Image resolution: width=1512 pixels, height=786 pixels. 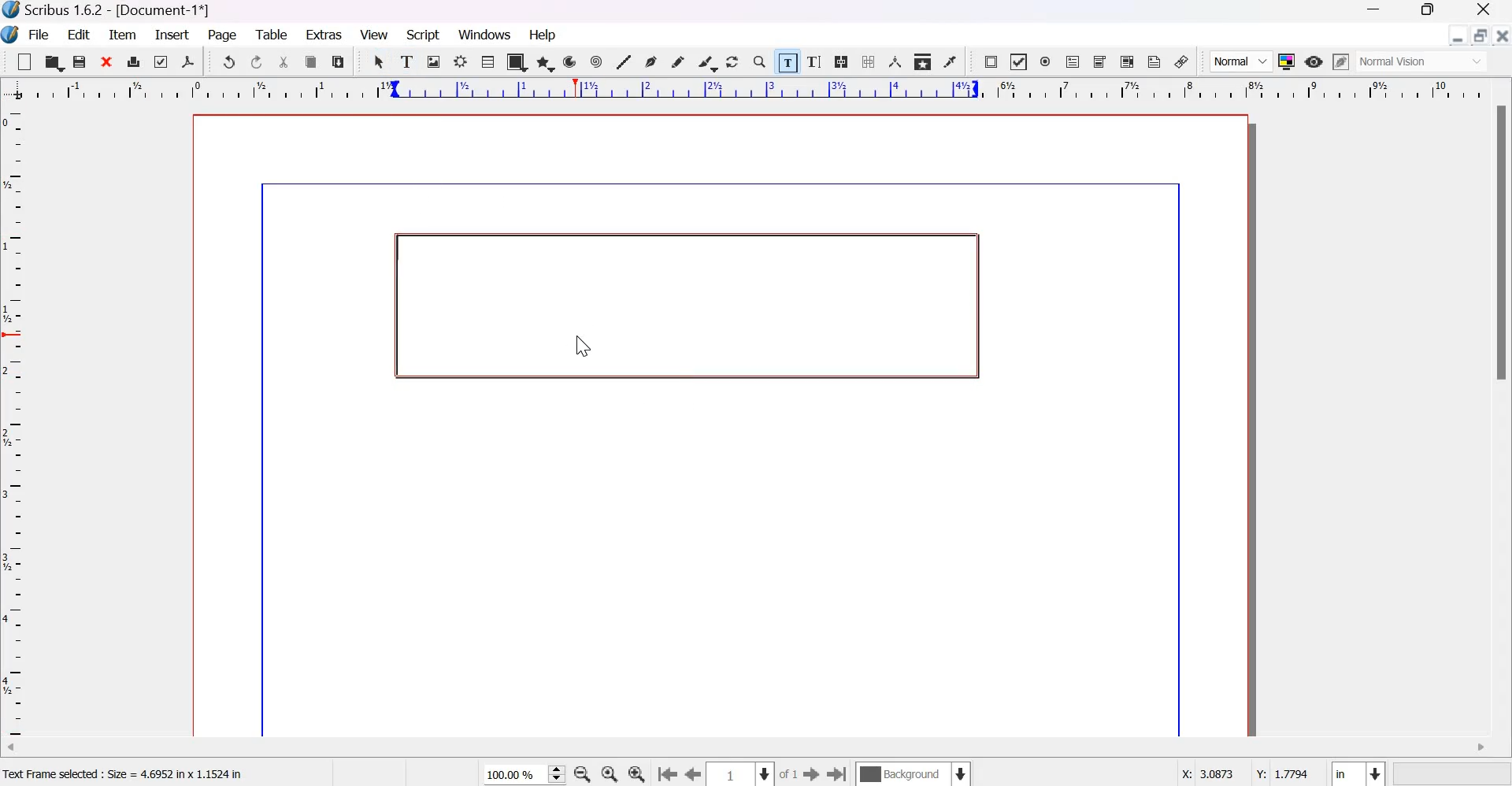 I want to click on page, so click(x=224, y=36).